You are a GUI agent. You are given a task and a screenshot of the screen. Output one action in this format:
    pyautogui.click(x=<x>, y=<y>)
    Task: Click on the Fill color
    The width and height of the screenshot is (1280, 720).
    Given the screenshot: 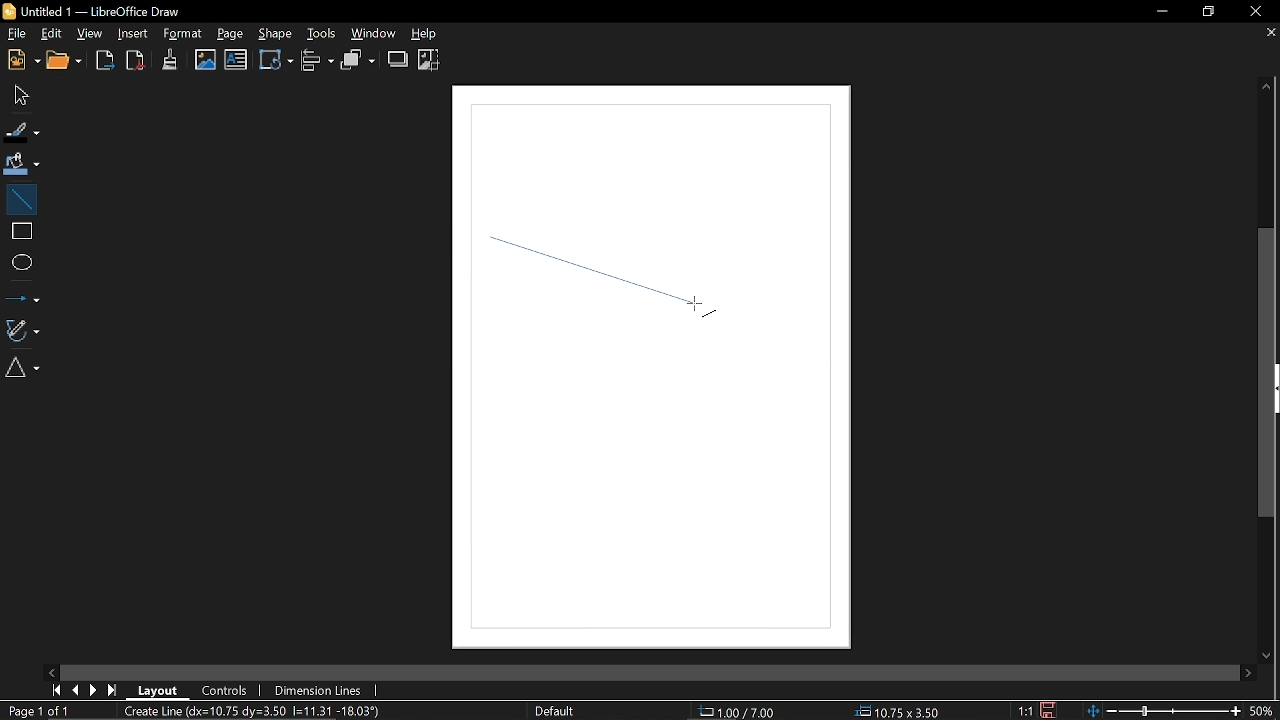 What is the action you would take?
    pyautogui.click(x=22, y=163)
    